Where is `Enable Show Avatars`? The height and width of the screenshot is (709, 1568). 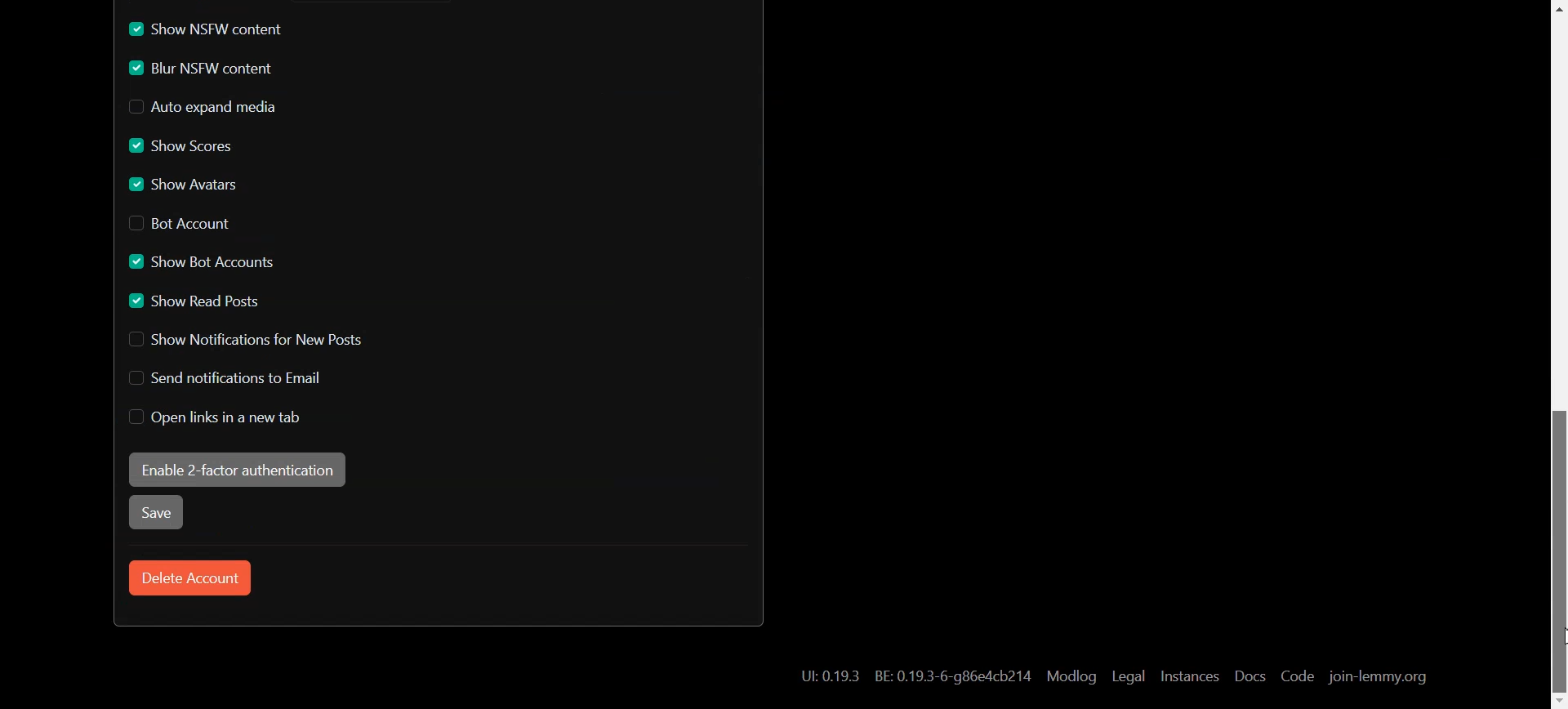
Enable Show Avatars is located at coordinates (193, 183).